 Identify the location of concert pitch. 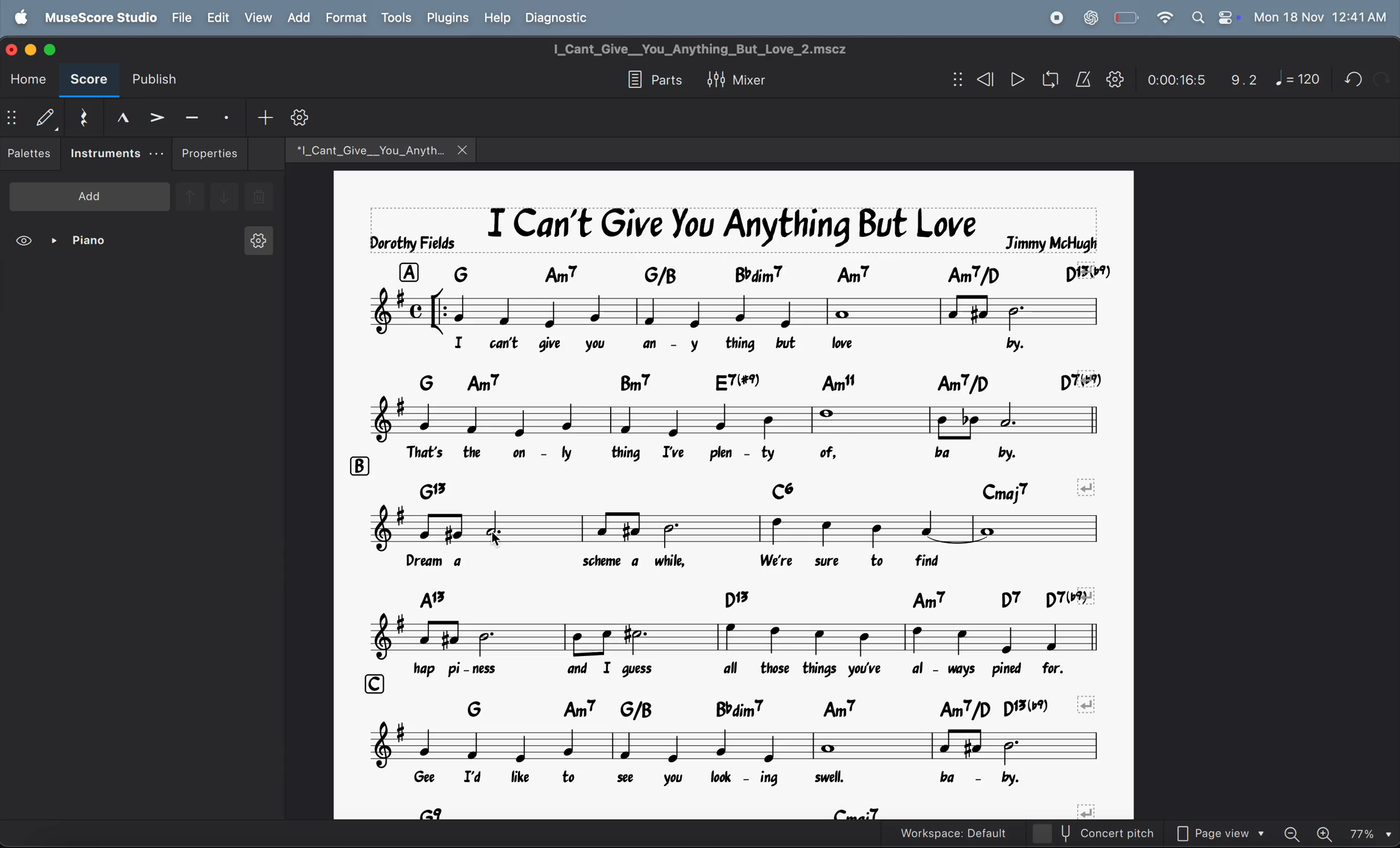
(1097, 835).